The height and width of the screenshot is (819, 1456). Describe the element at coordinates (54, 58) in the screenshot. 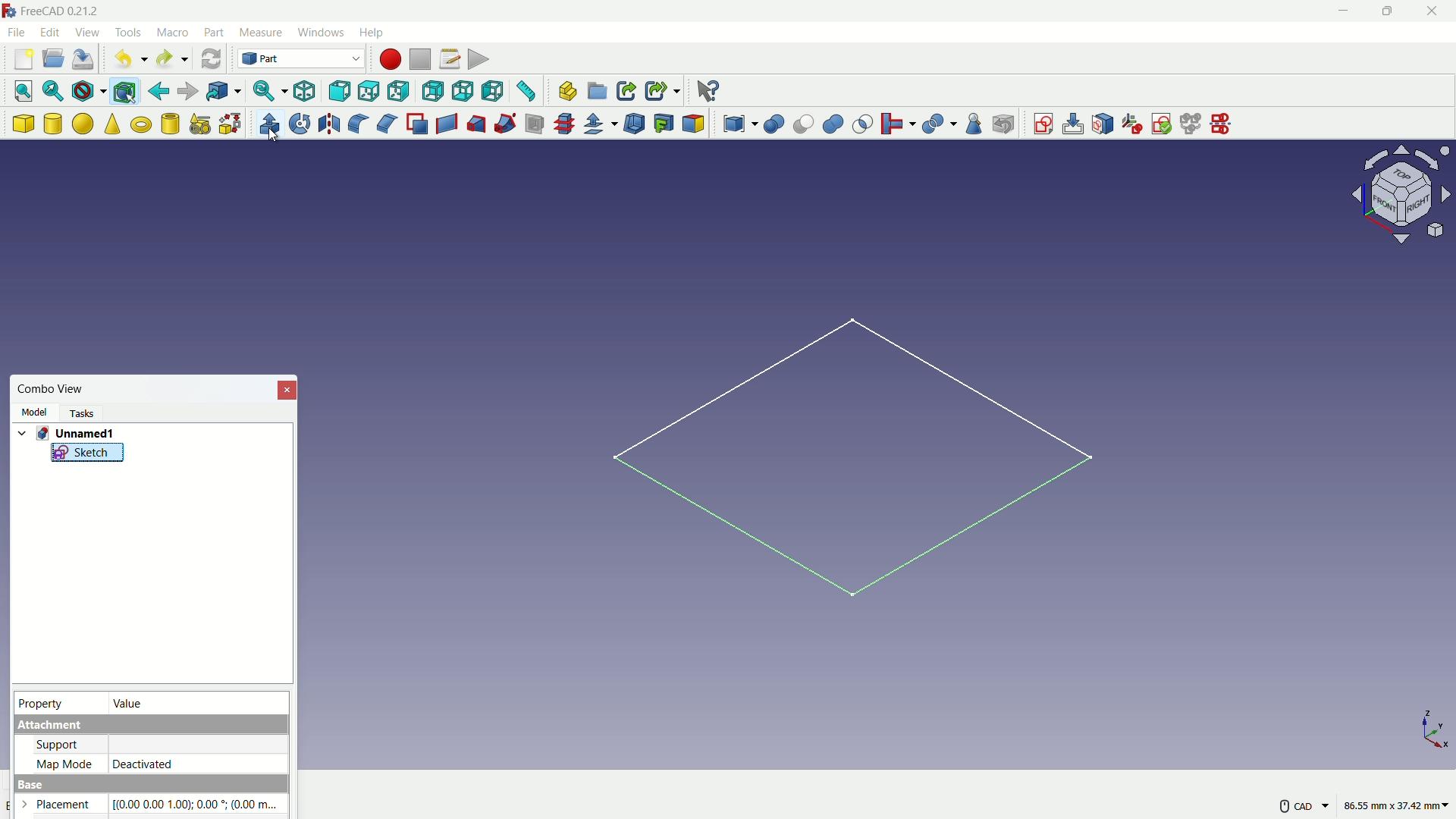

I see `open file` at that location.